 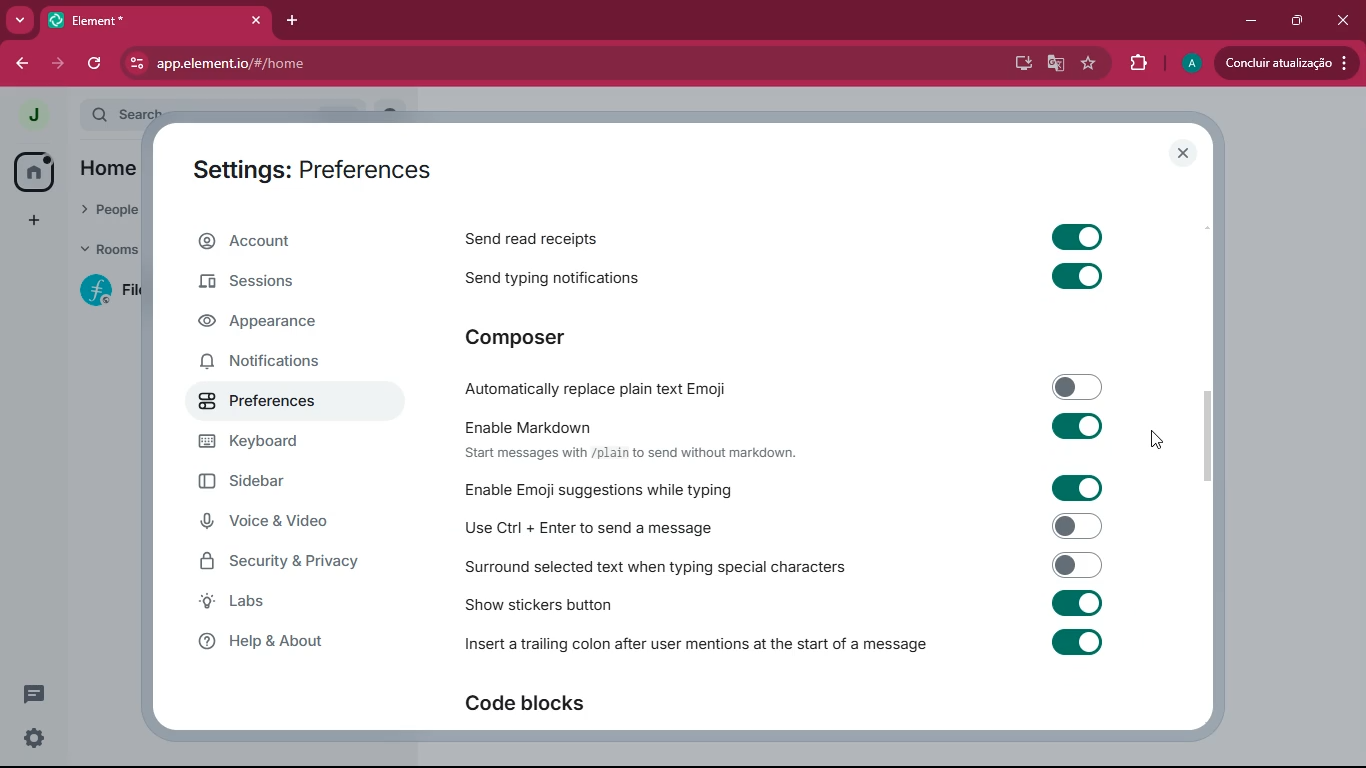 I want to click on toggle on or off, so click(x=1075, y=237).